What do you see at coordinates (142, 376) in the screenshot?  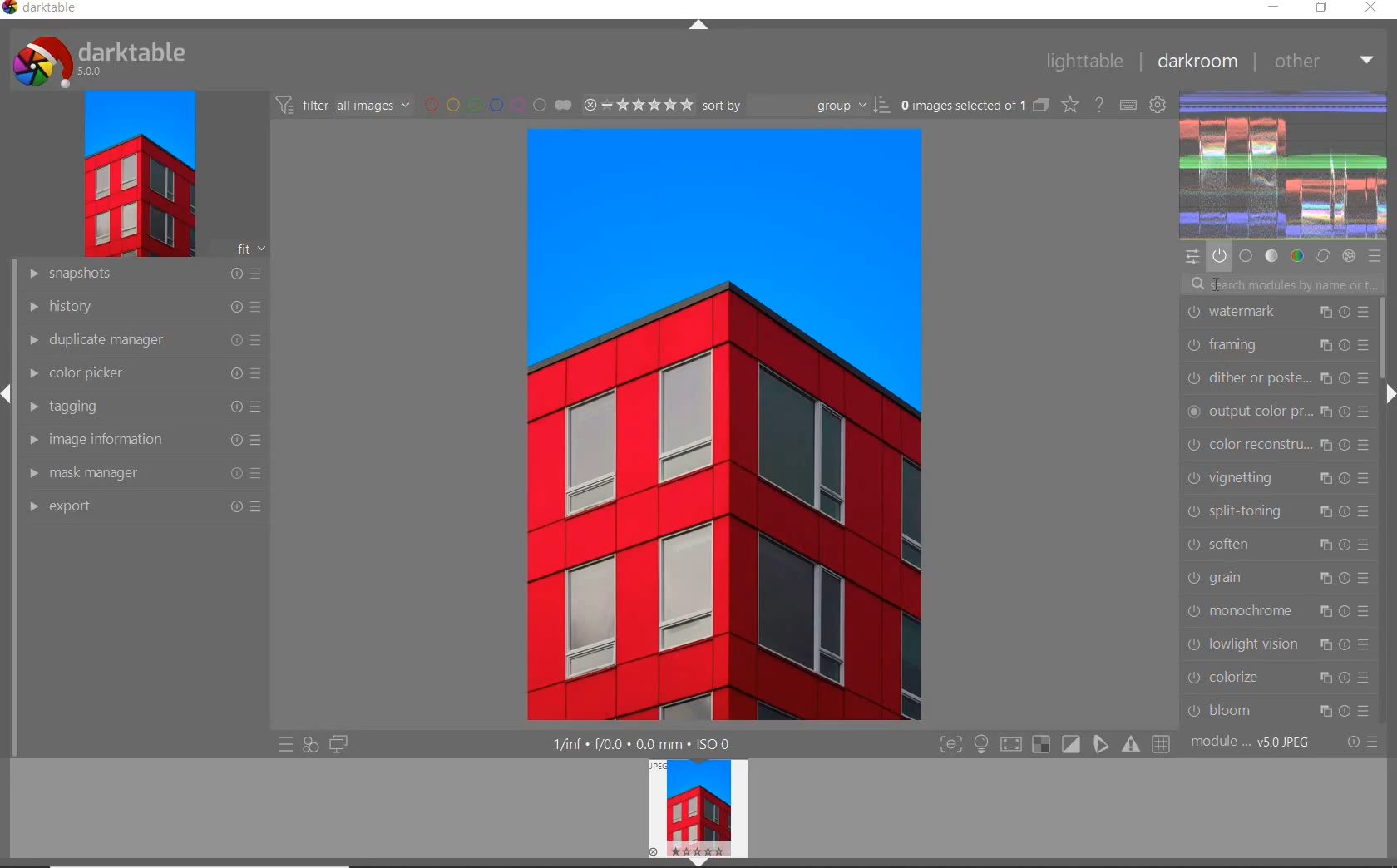 I see `color picker` at bounding box center [142, 376].